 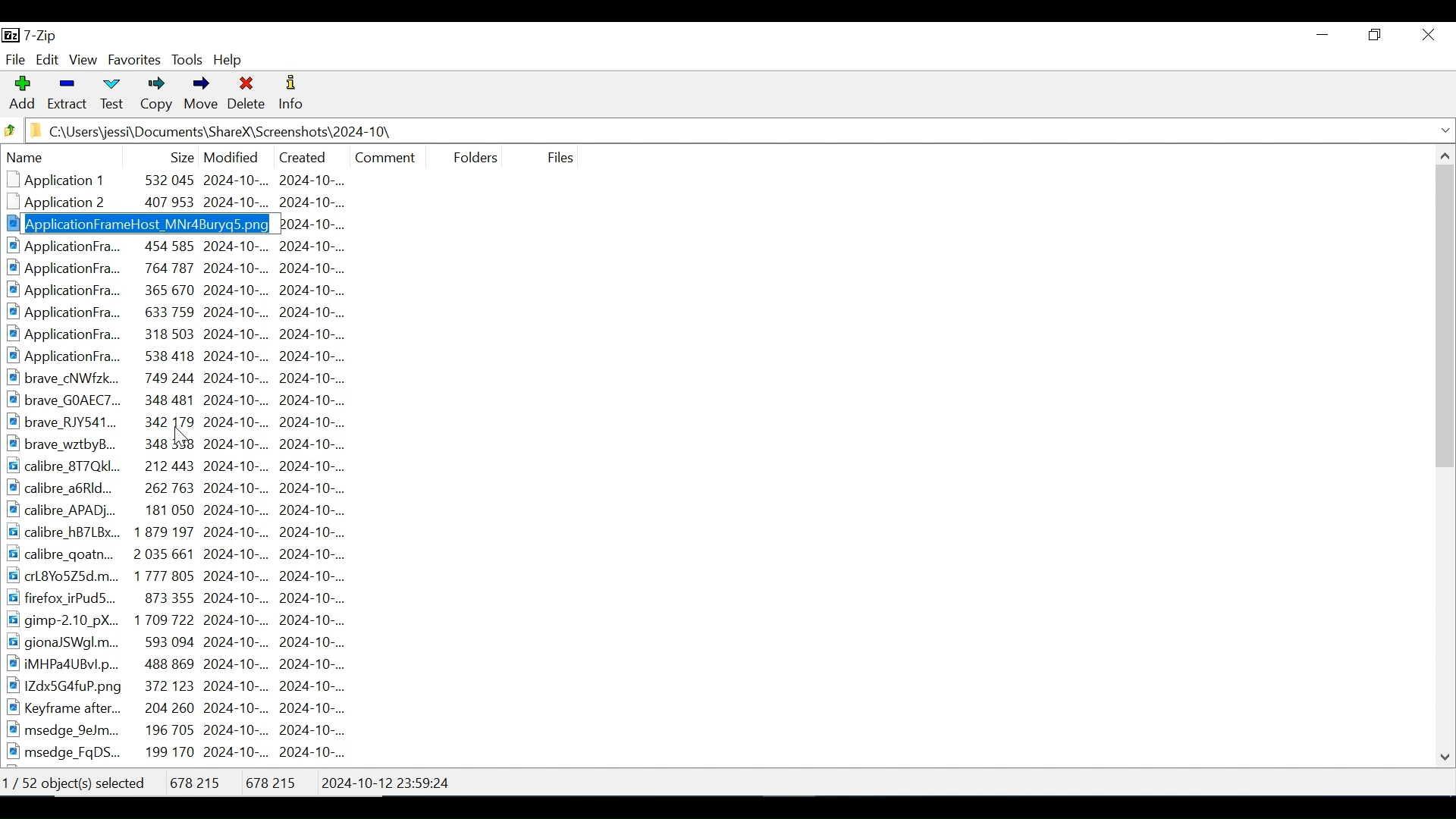 What do you see at coordinates (187, 575) in the screenshot?
I see `carl8Yo5Z25d.m... 1777 805 2024-10-.. 2024-10-...` at bounding box center [187, 575].